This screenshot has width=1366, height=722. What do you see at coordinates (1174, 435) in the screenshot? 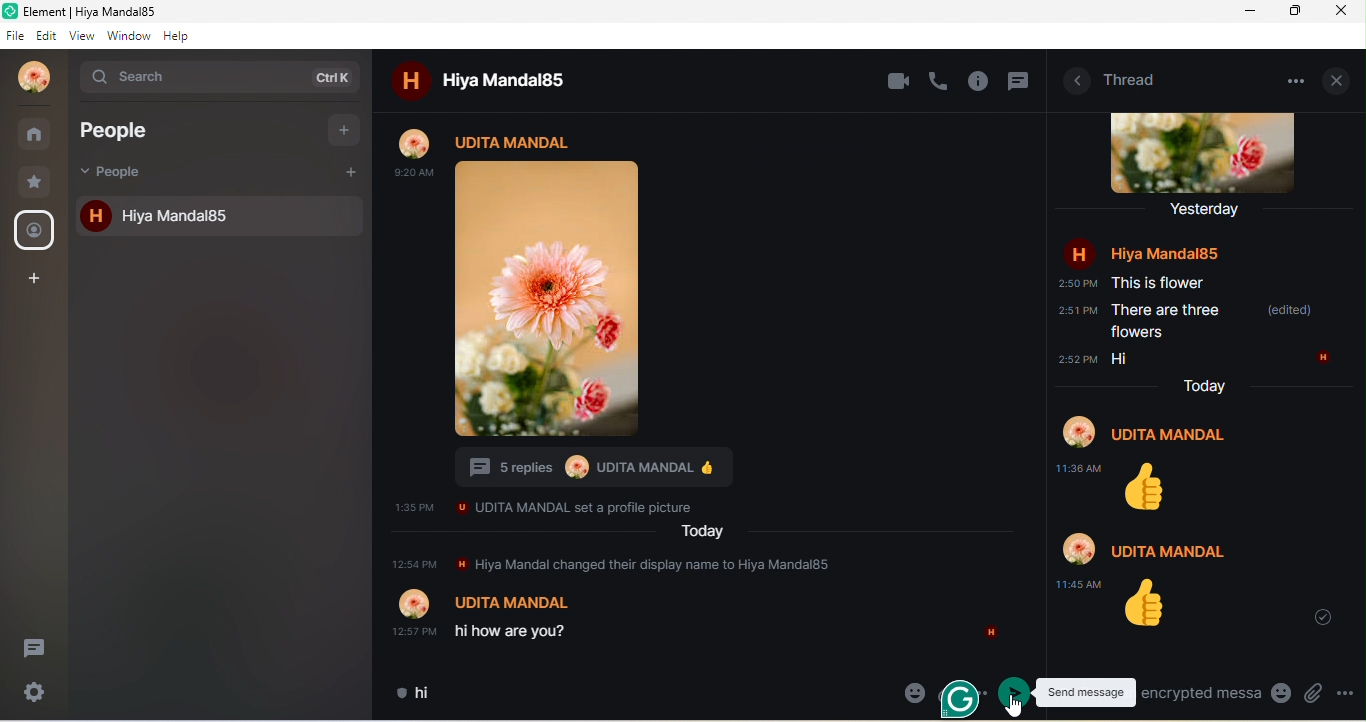
I see `Udita Mandal` at bounding box center [1174, 435].